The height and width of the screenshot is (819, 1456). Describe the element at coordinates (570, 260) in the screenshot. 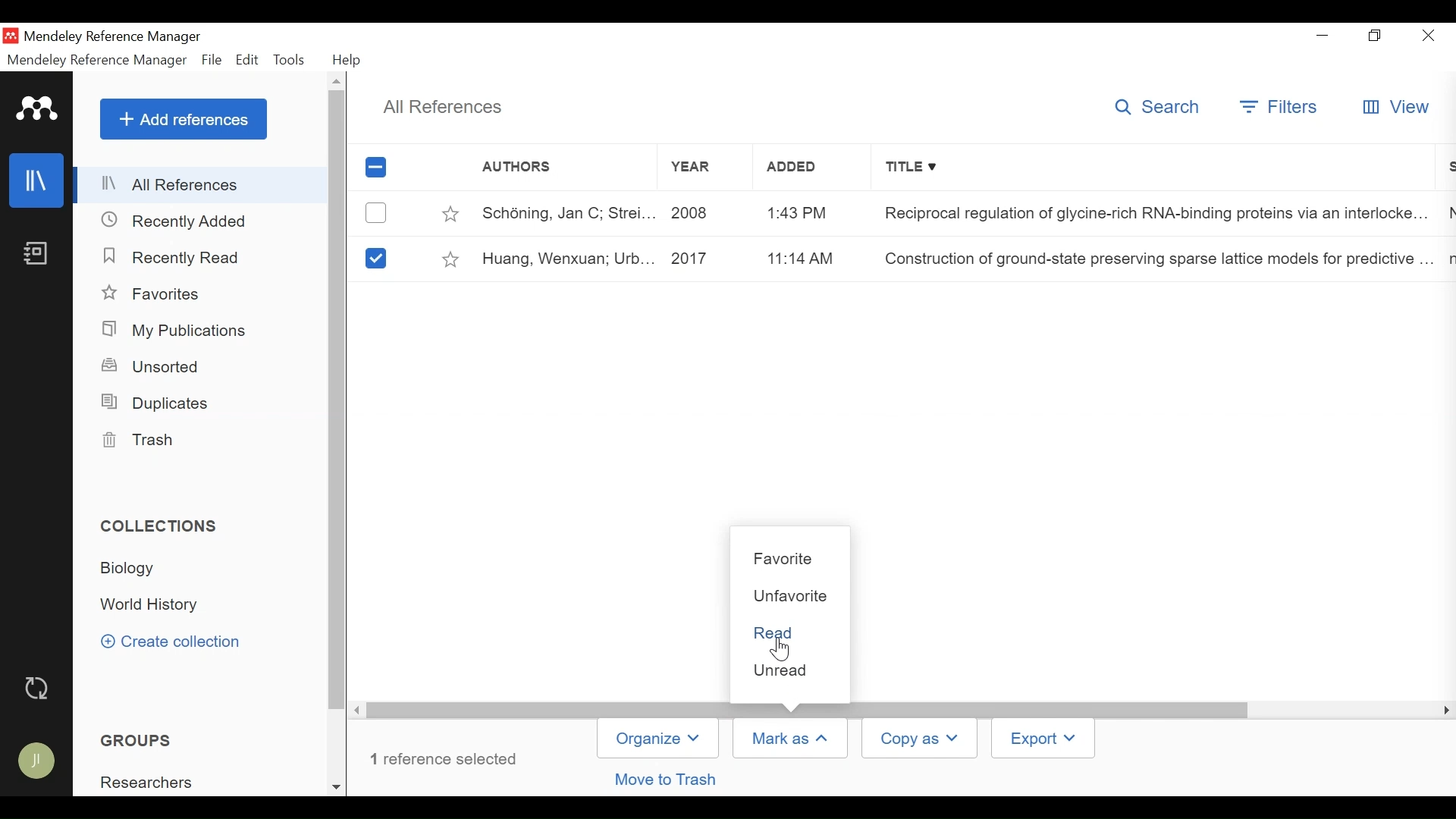

I see `Huang, Wenxuan; Urb...` at that location.